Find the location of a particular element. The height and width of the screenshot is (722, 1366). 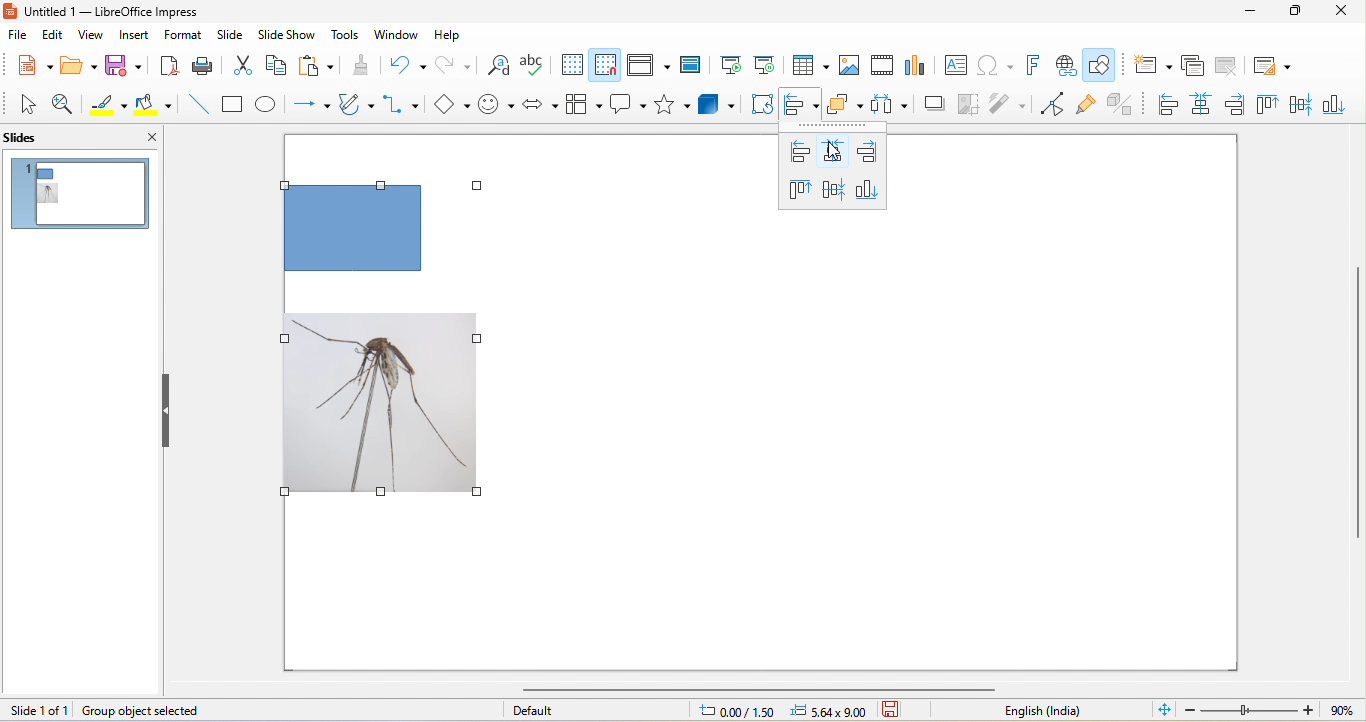

save is located at coordinates (129, 66).